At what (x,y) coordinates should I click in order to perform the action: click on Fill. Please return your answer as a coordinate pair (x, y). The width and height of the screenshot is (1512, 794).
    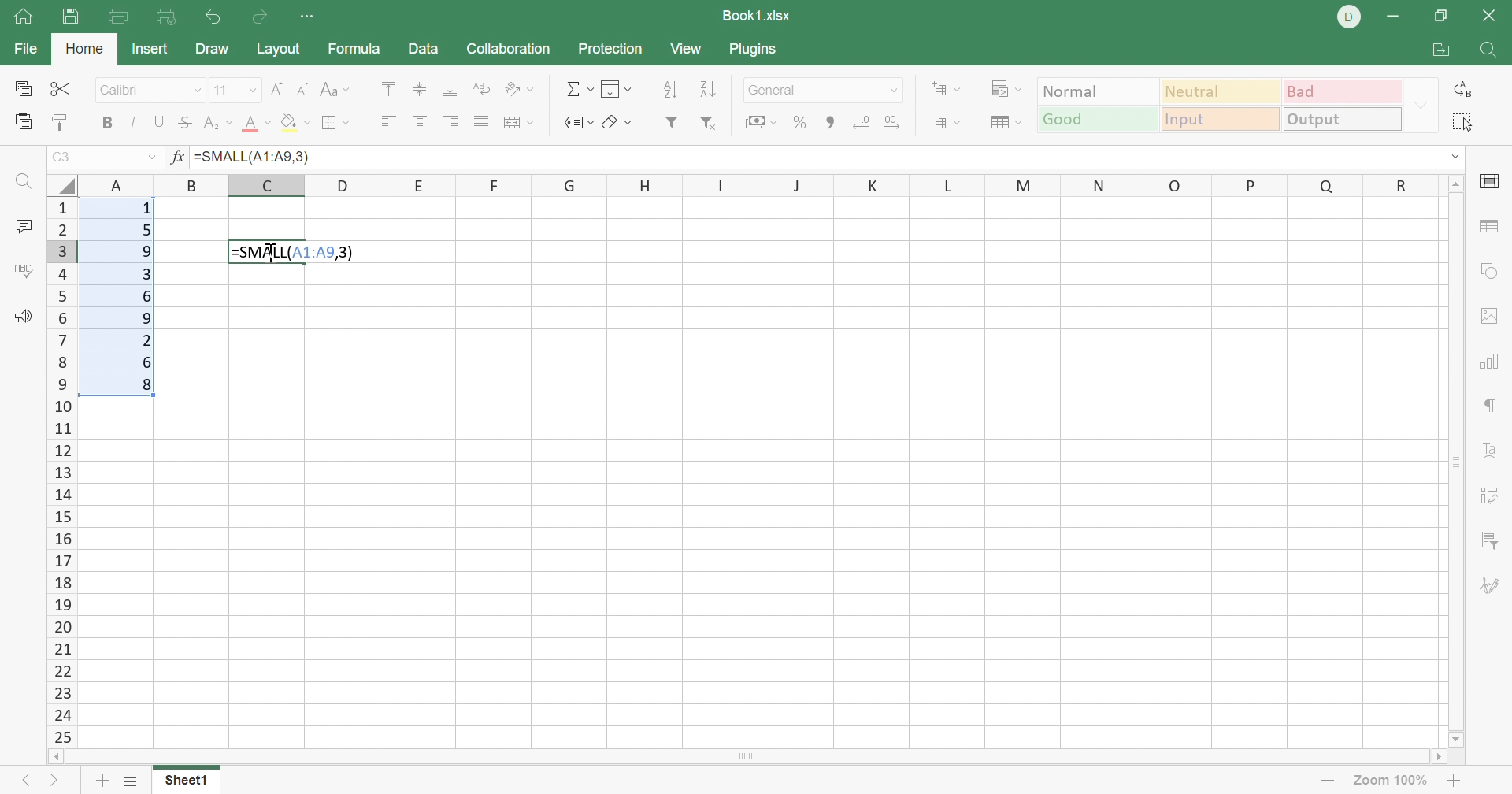
    Looking at the image, I should click on (617, 90).